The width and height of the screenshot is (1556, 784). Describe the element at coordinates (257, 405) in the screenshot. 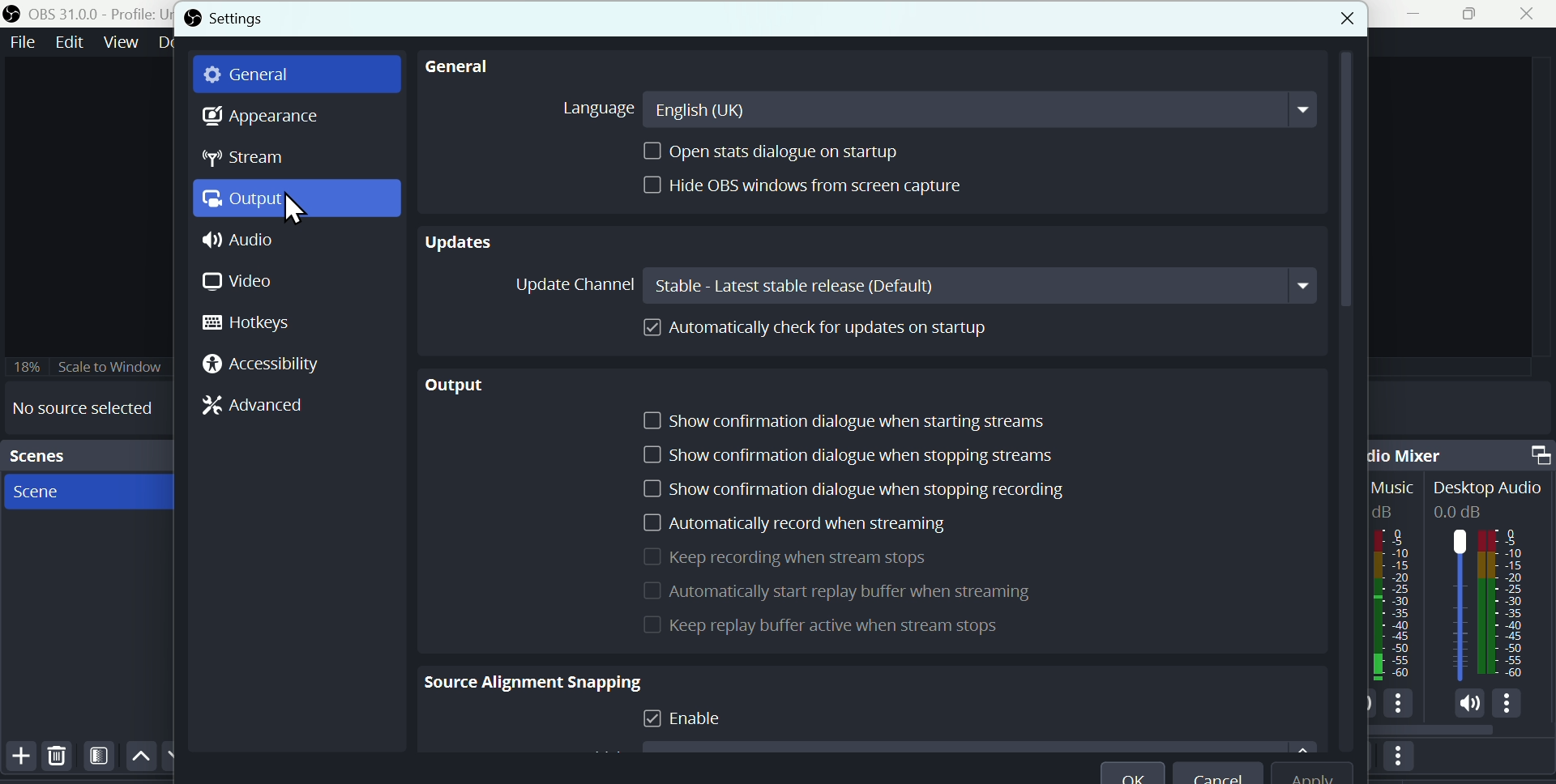

I see `Advanced` at that location.